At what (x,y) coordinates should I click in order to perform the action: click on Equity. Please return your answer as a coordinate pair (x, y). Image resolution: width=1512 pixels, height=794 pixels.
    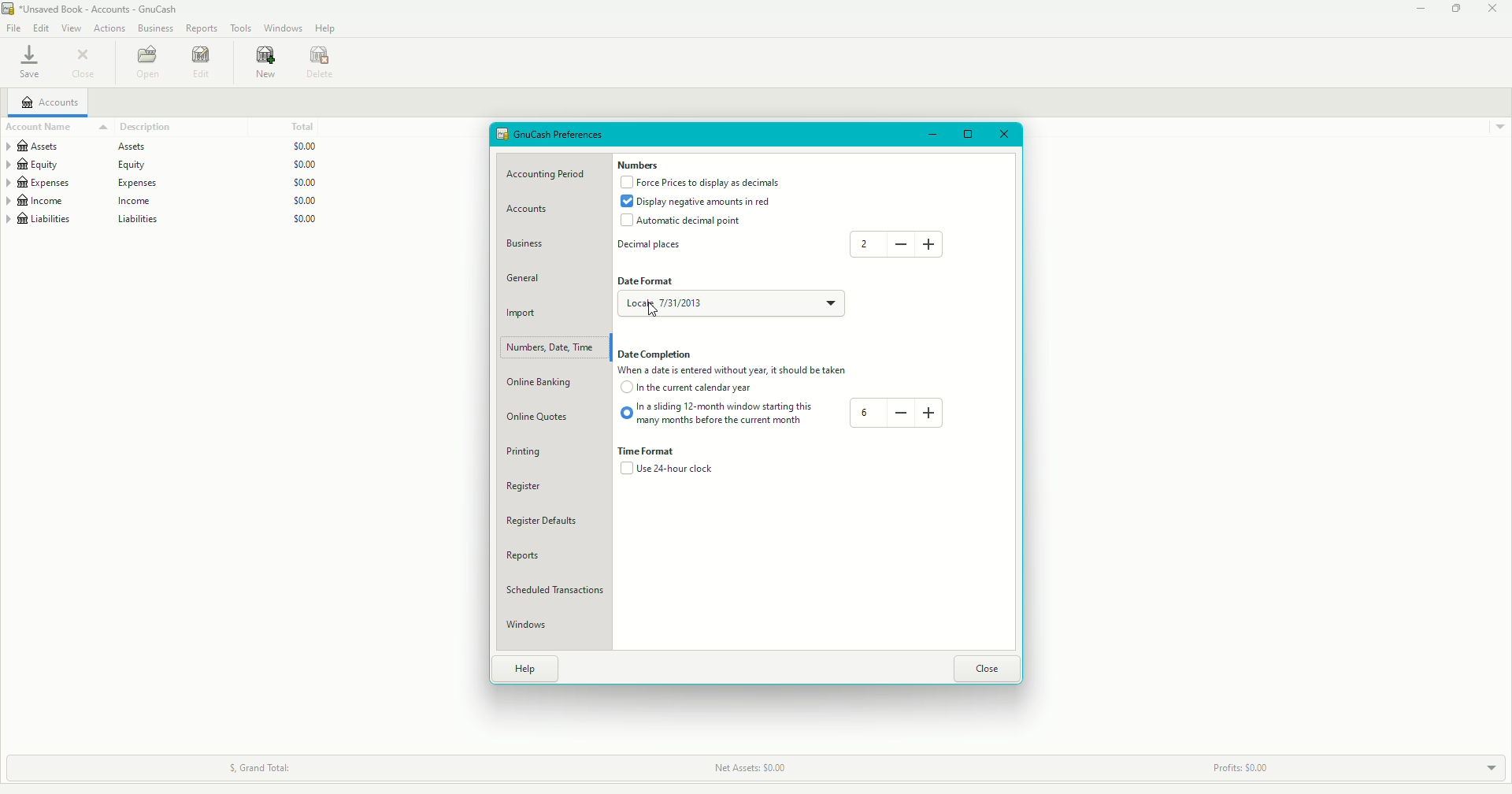
    Looking at the image, I should click on (162, 165).